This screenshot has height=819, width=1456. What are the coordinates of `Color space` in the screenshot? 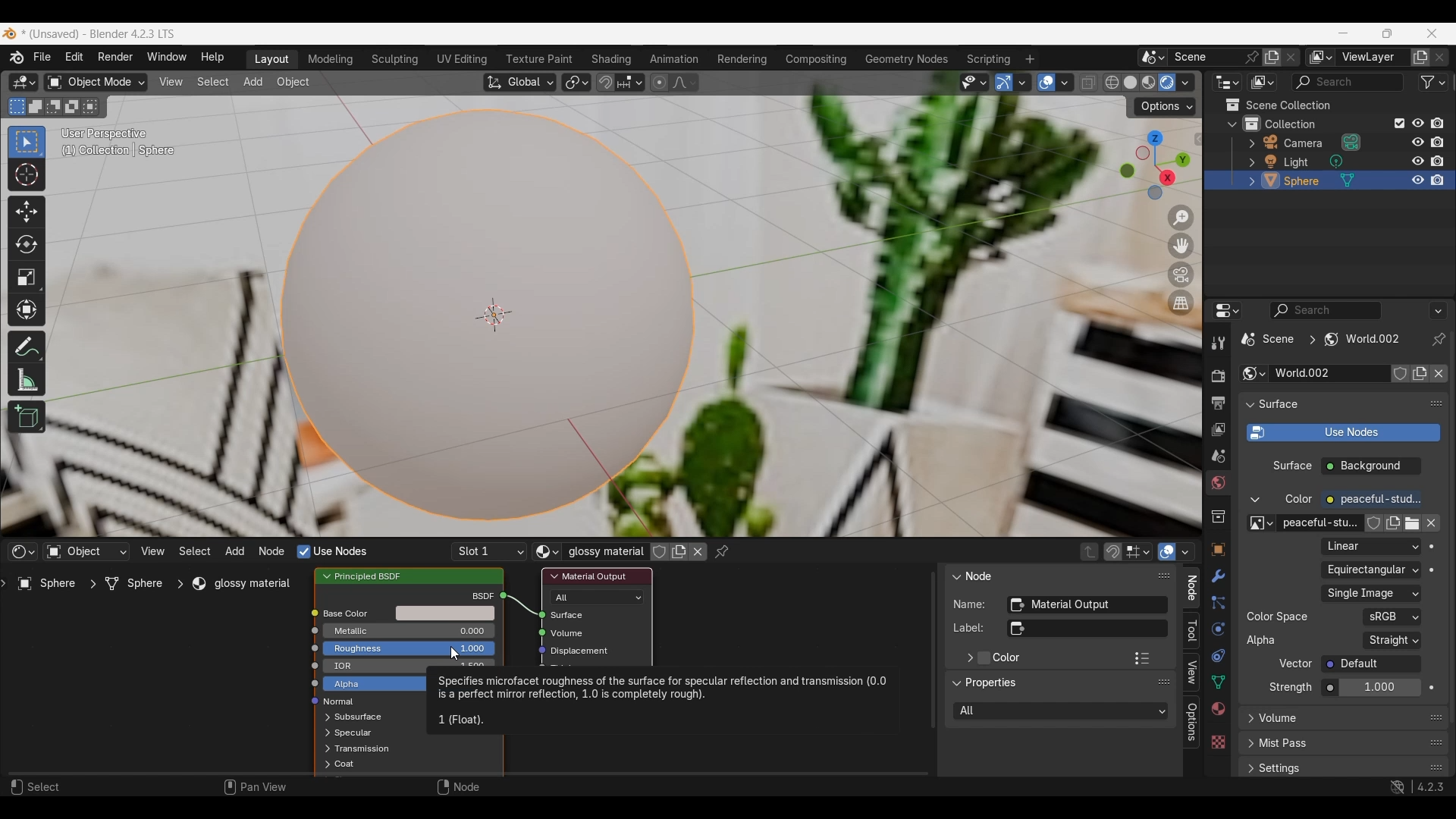 It's located at (1392, 617).